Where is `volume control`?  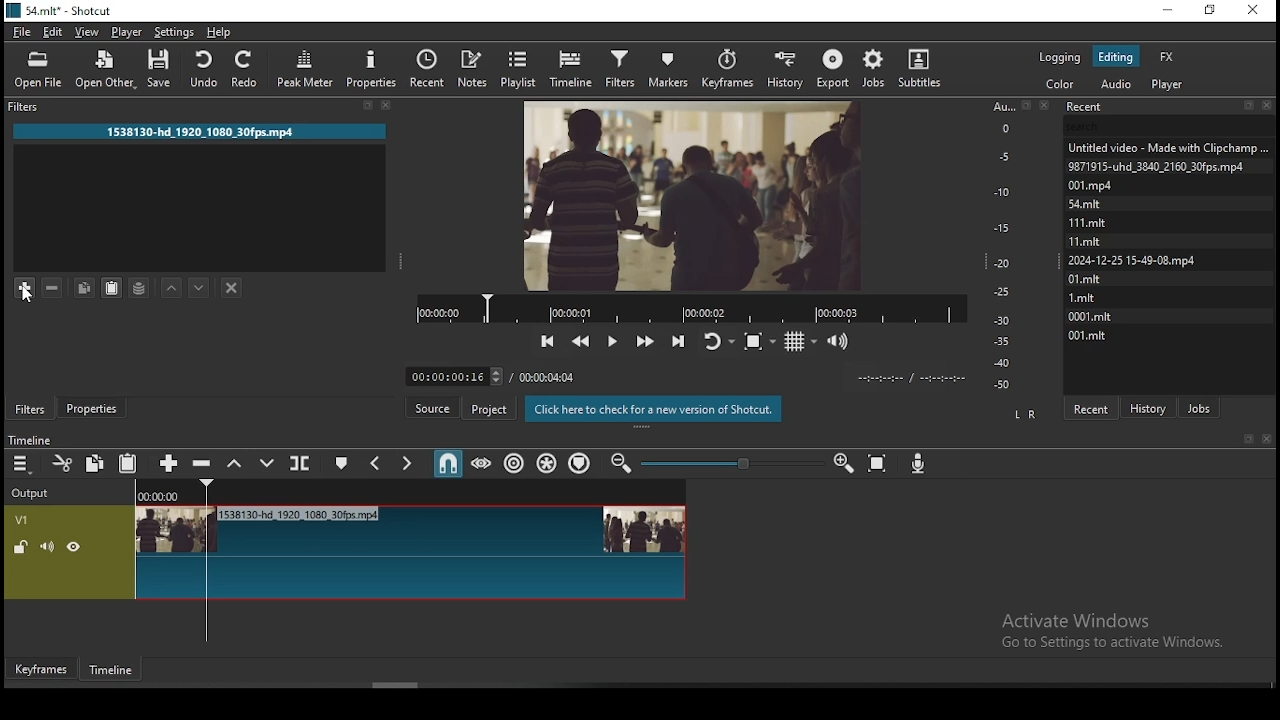
volume control is located at coordinates (841, 341).